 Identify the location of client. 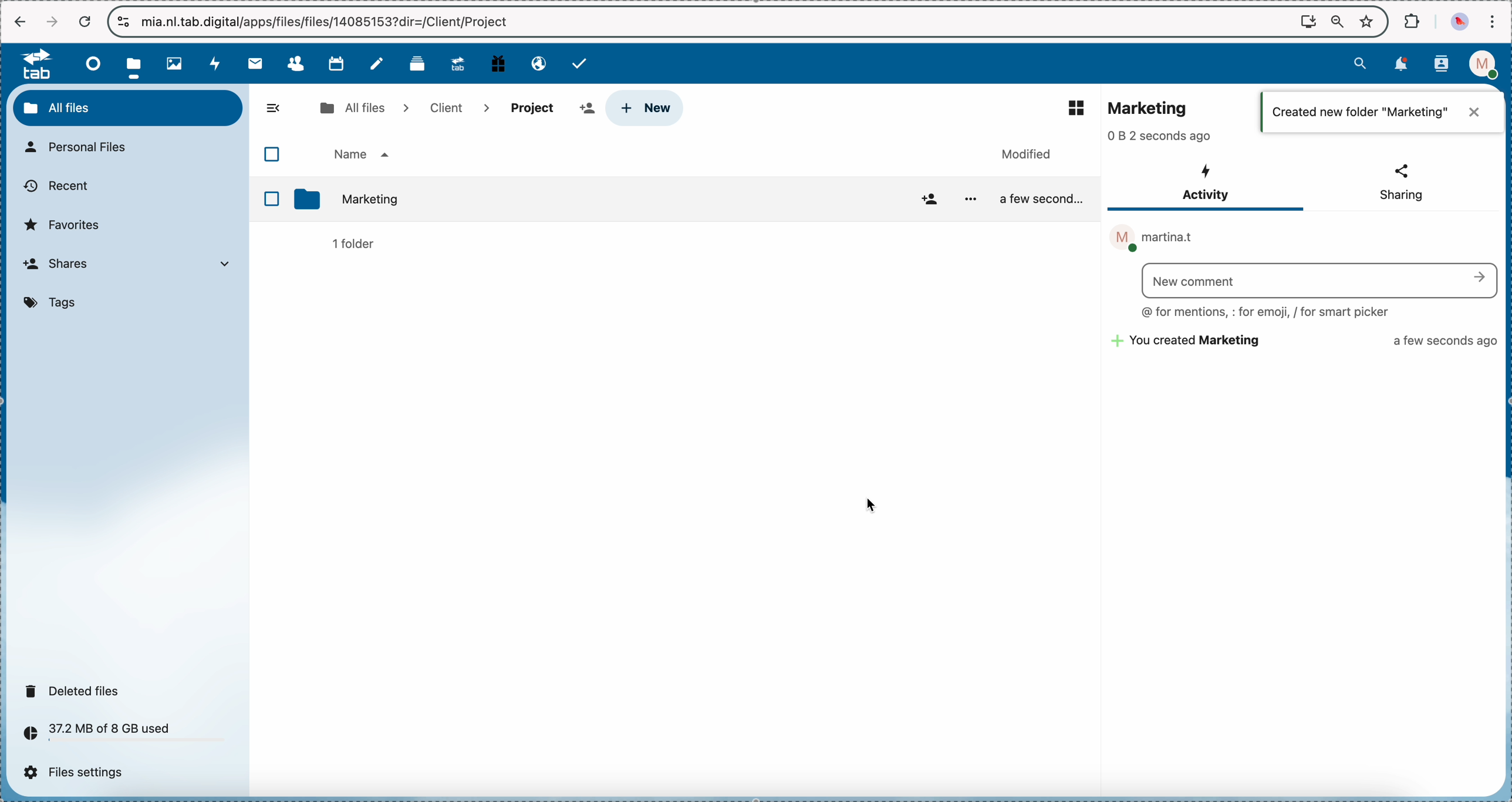
(457, 107).